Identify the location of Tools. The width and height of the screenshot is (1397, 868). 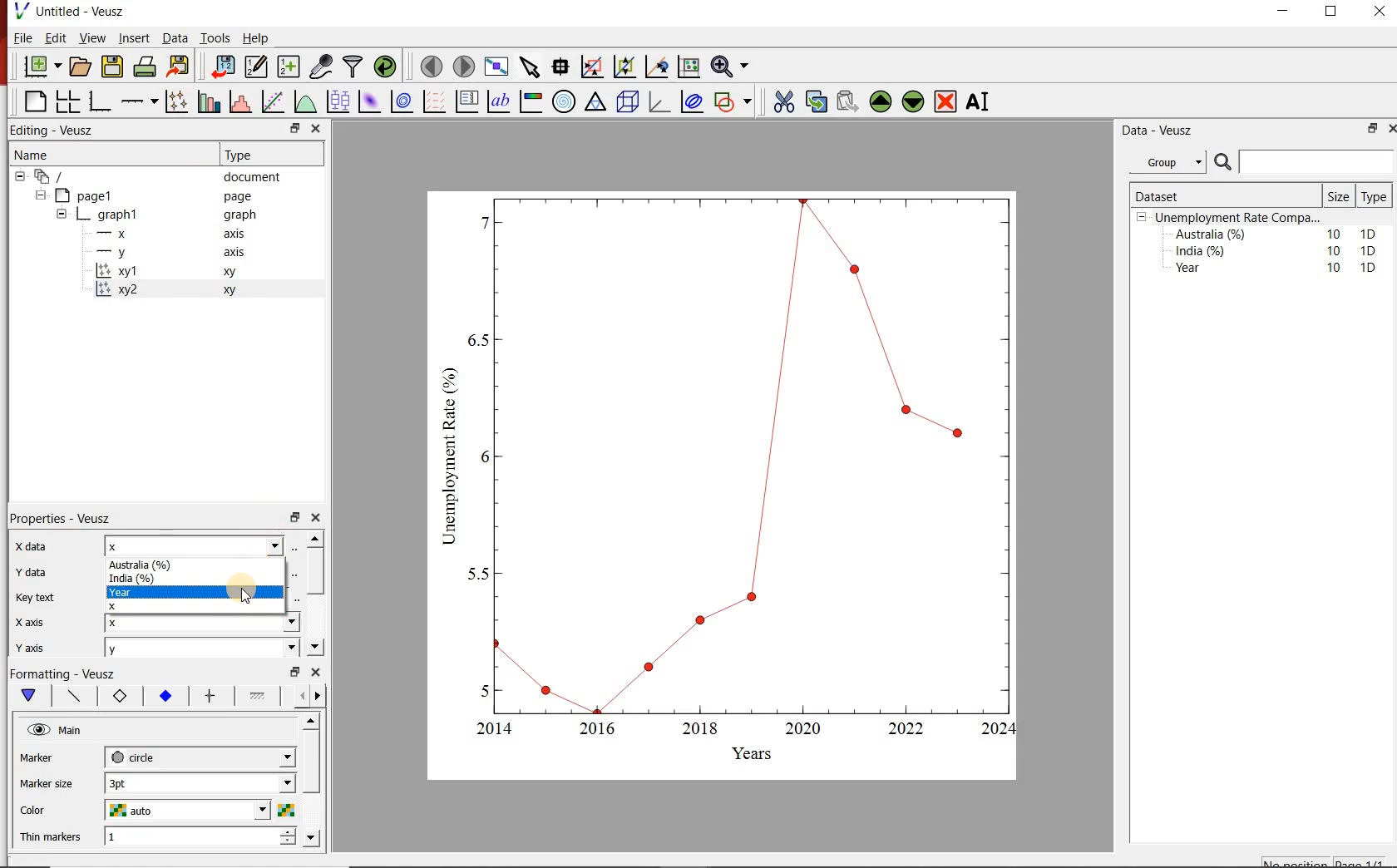
(216, 37).